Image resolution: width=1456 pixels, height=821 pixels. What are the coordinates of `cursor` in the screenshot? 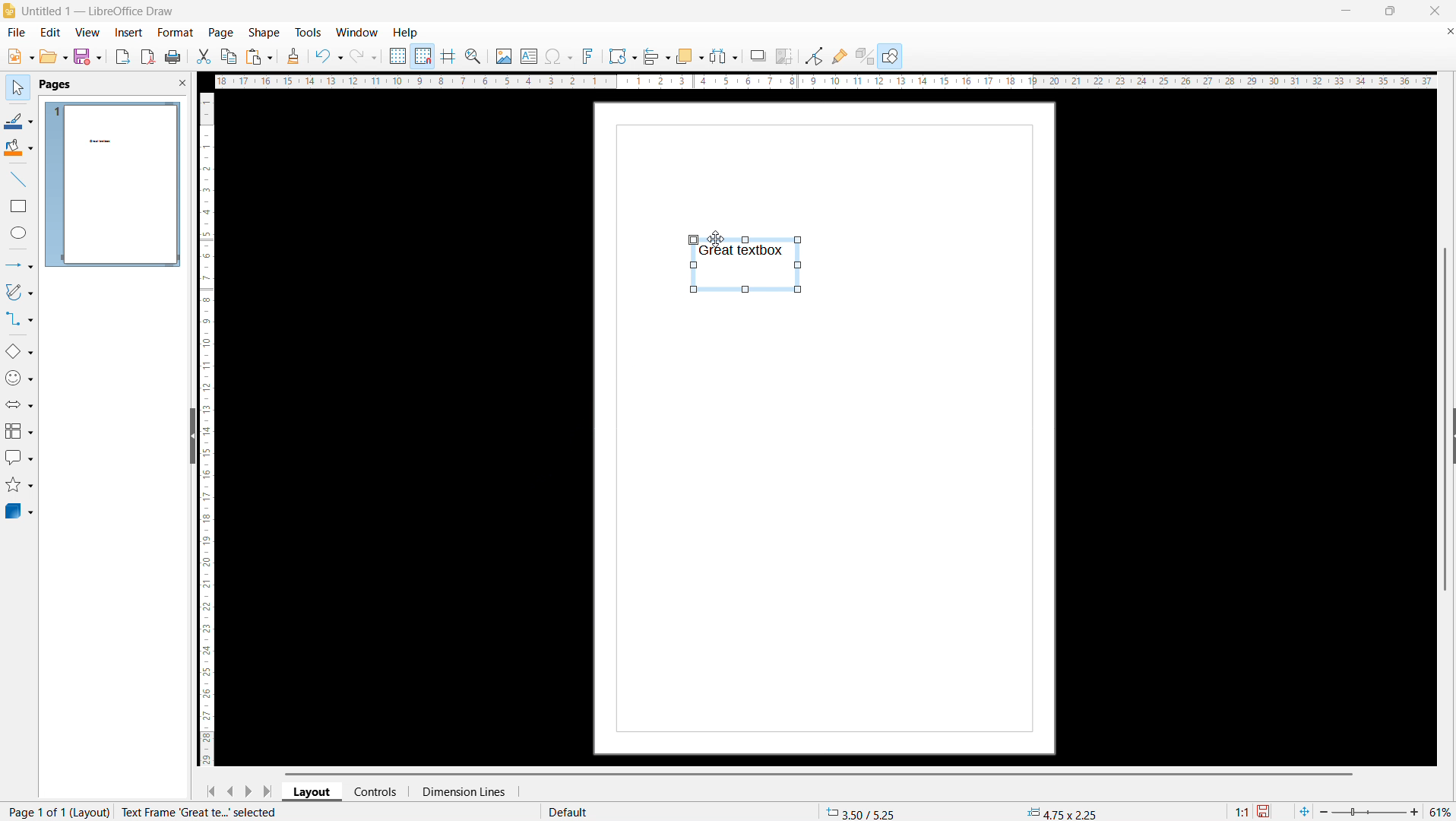 It's located at (716, 239).